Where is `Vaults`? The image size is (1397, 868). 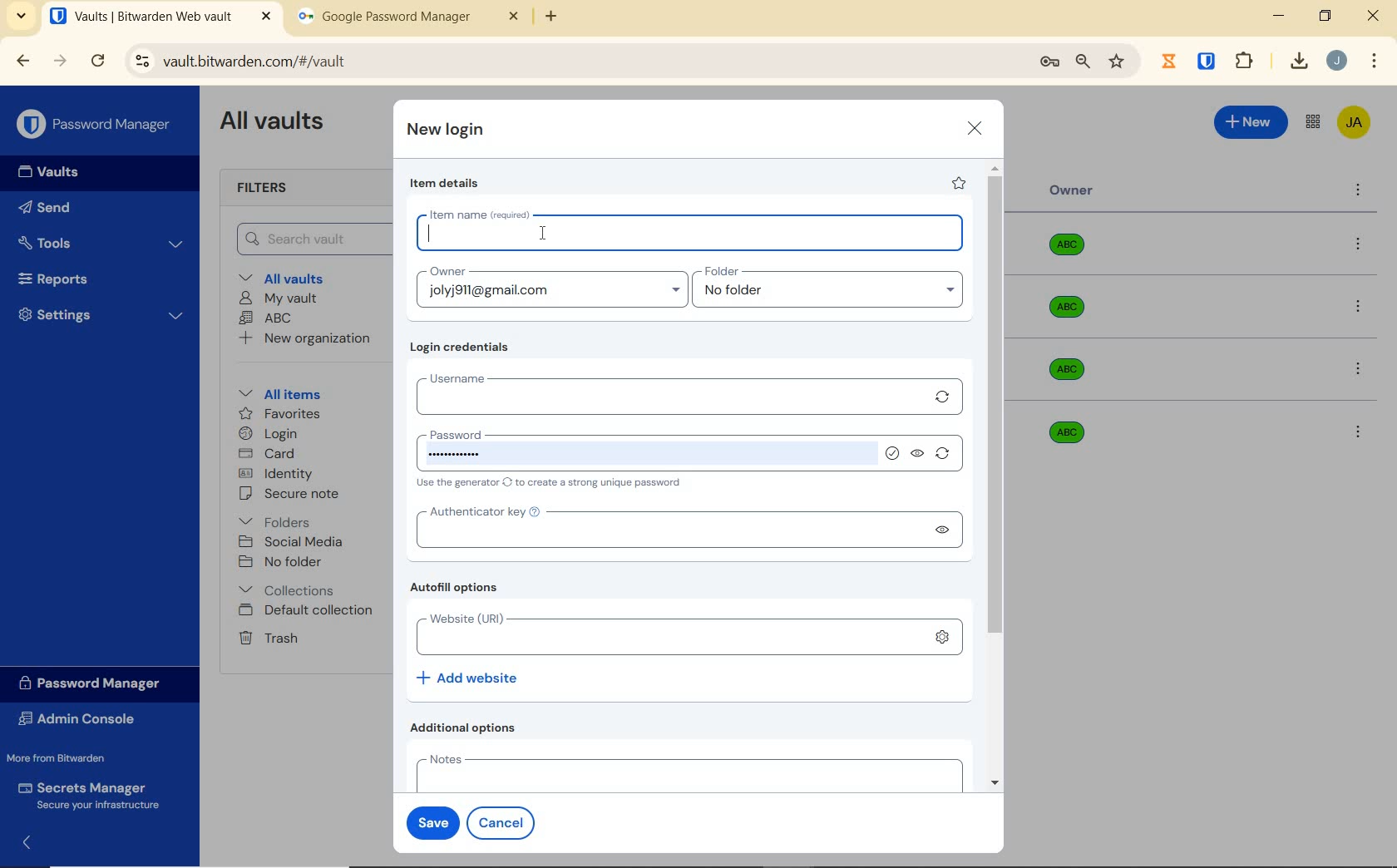 Vaults is located at coordinates (53, 172).